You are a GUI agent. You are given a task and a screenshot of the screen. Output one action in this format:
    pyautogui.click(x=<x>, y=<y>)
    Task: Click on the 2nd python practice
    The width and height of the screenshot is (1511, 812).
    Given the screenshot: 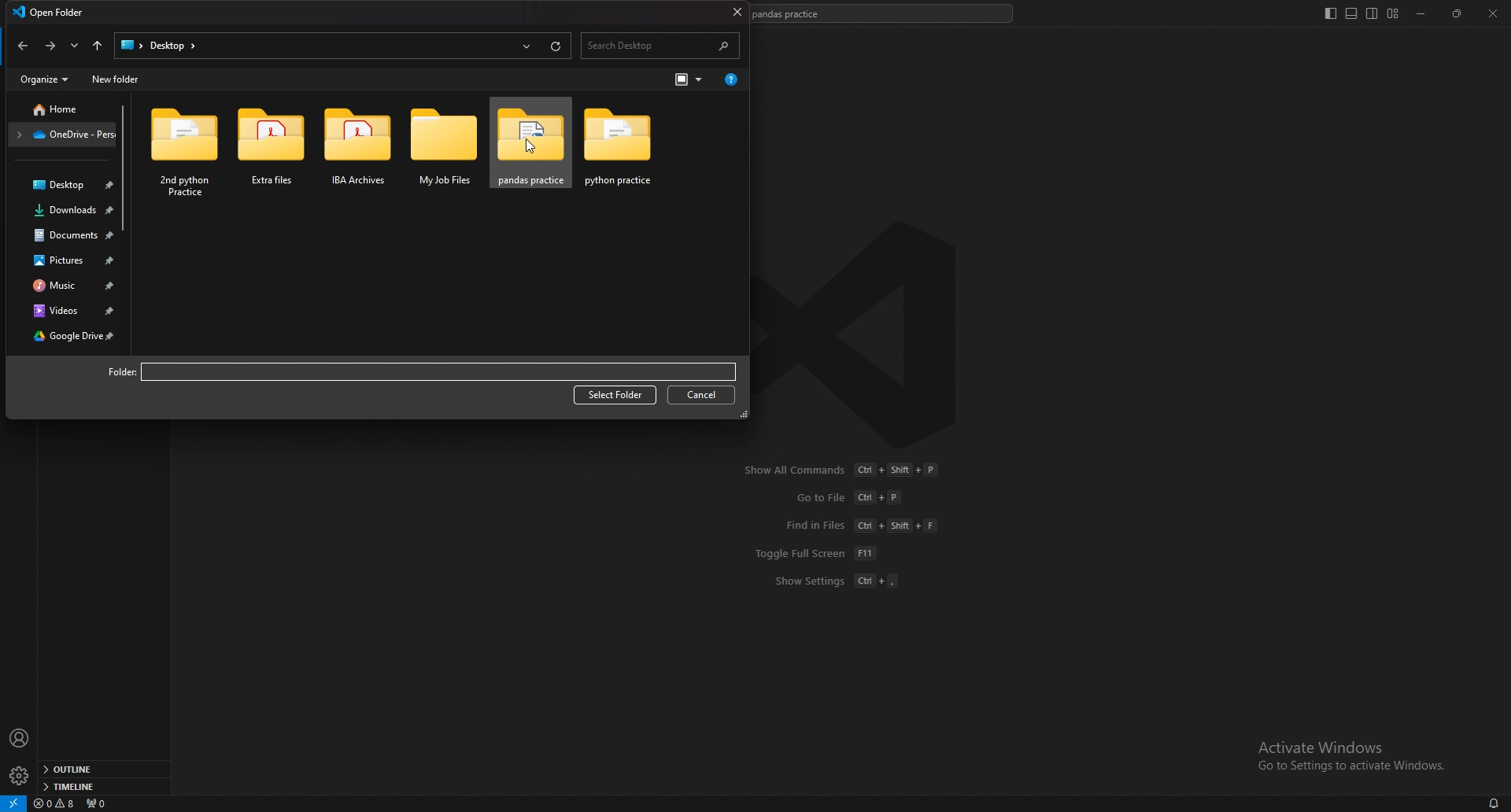 What is the action you would take?
    pyautogui.click(x=183, y=149)
    